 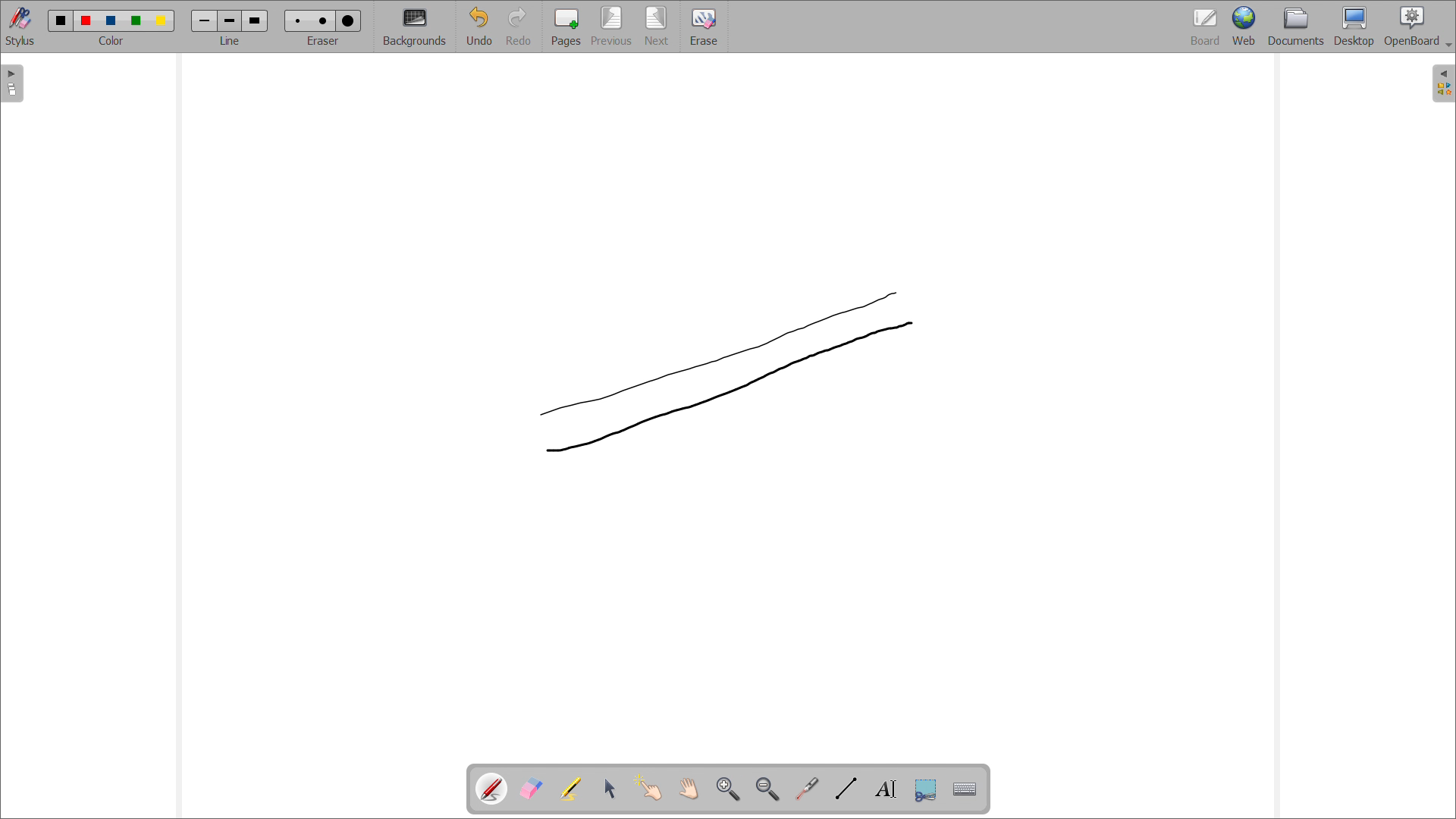 What do you see at coordinates (230, 42) in the screenshot?
I see `select line width` at bounding box center [230, 42].